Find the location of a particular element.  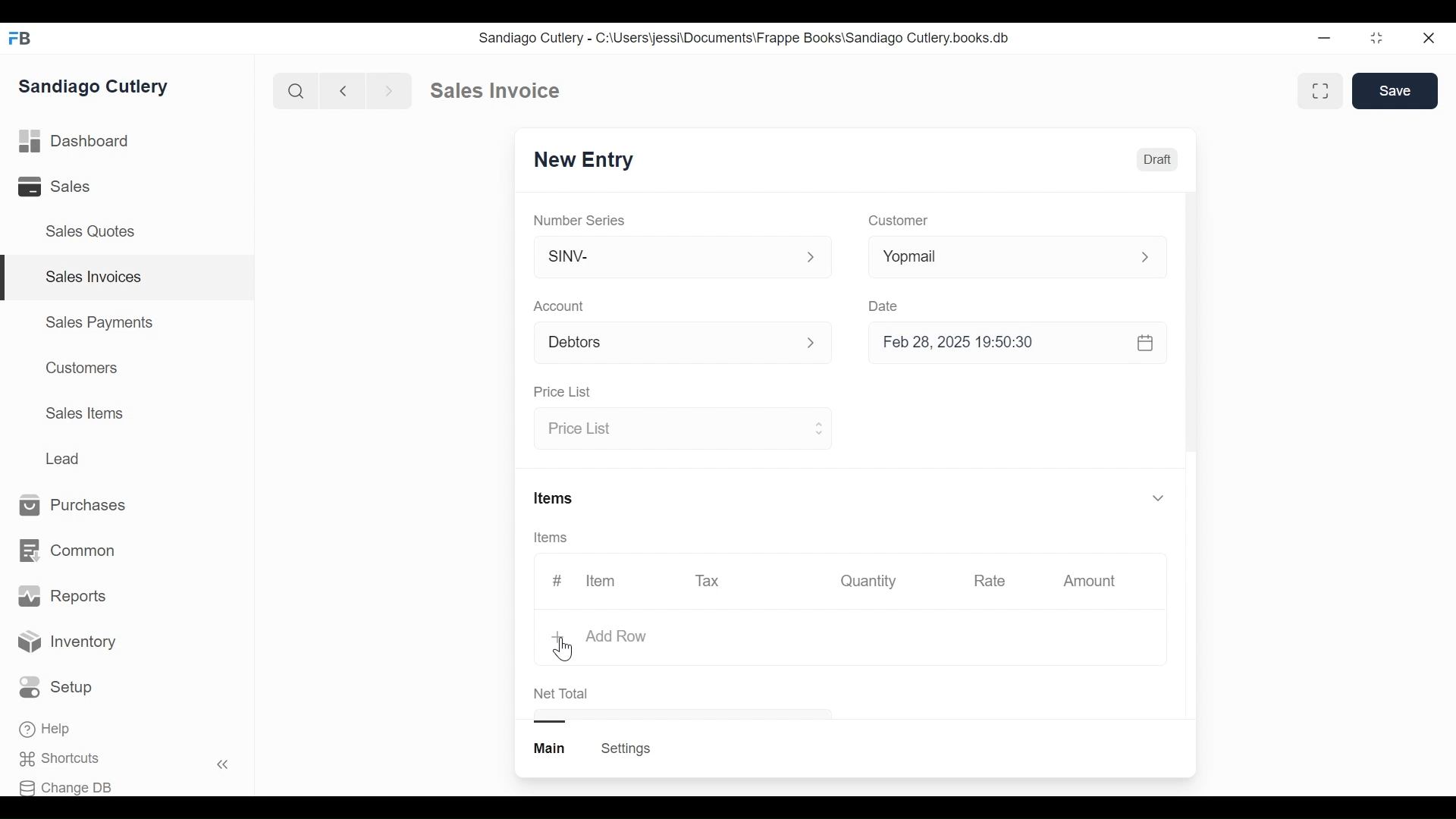

Yopmail is located at coordinates (1018, 256).